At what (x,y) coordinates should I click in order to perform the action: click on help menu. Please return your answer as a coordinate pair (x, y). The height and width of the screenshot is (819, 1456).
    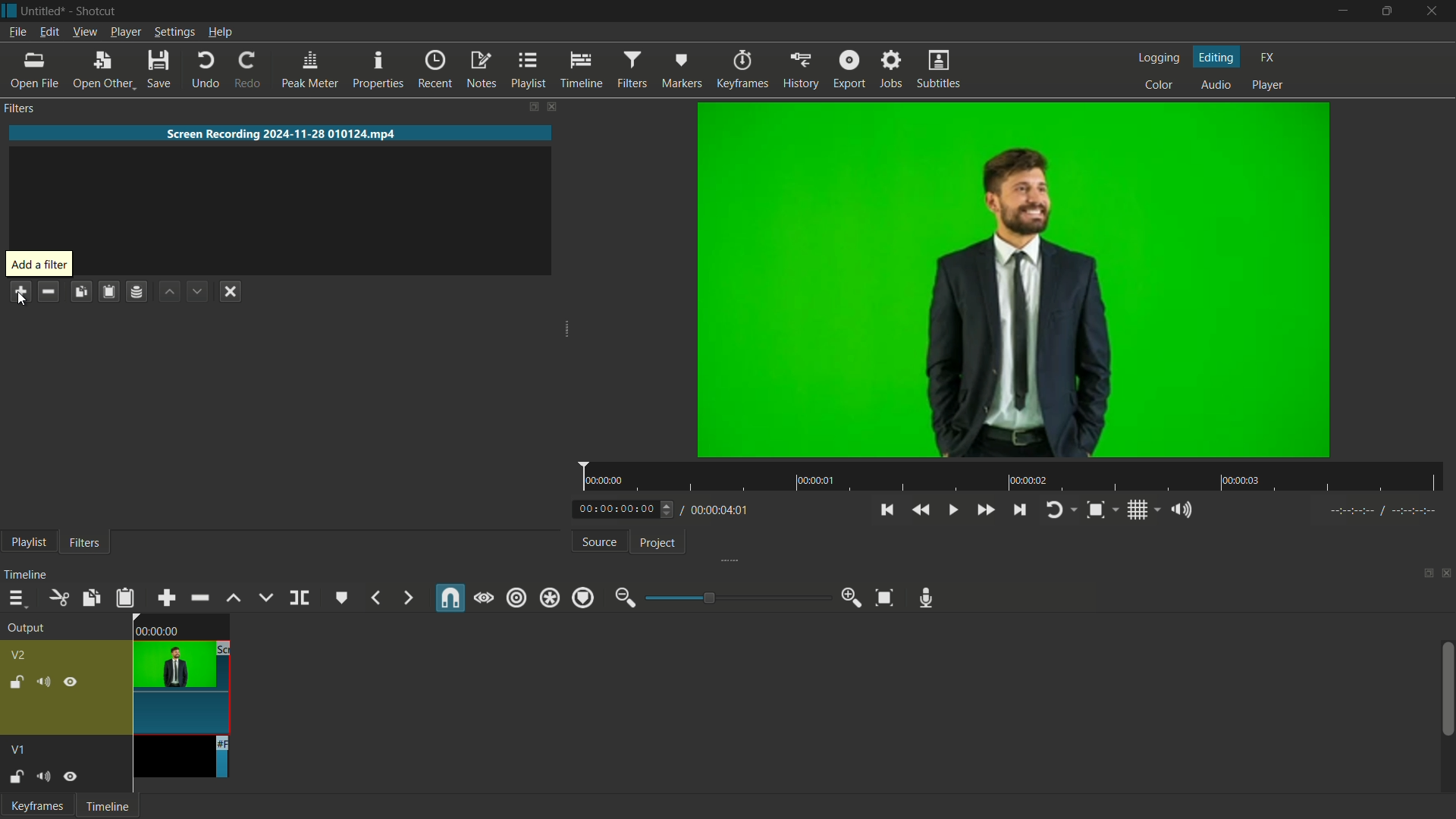
    Looking at the image, I should click on (220, 33).